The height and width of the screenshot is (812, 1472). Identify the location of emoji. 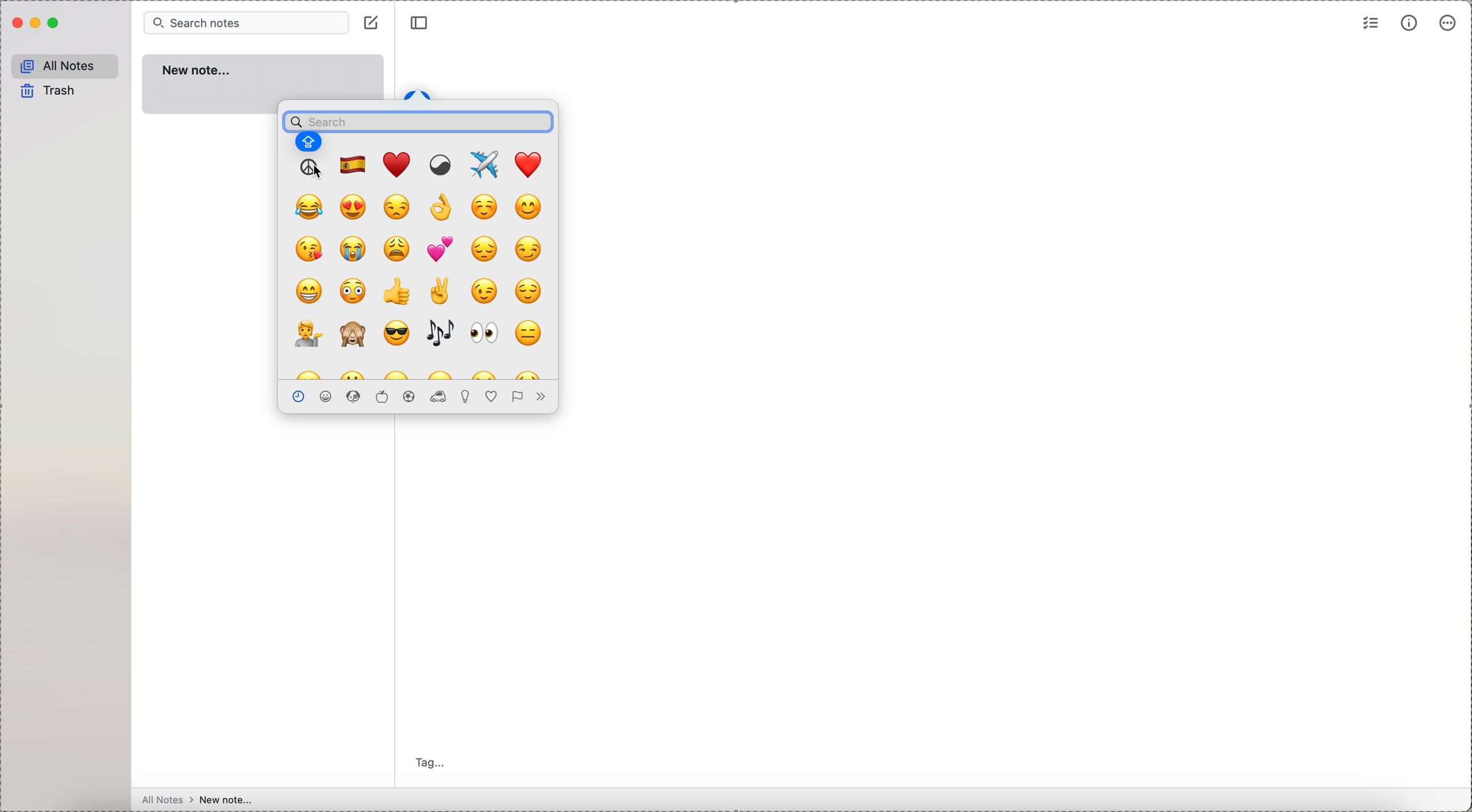
(309, 247).